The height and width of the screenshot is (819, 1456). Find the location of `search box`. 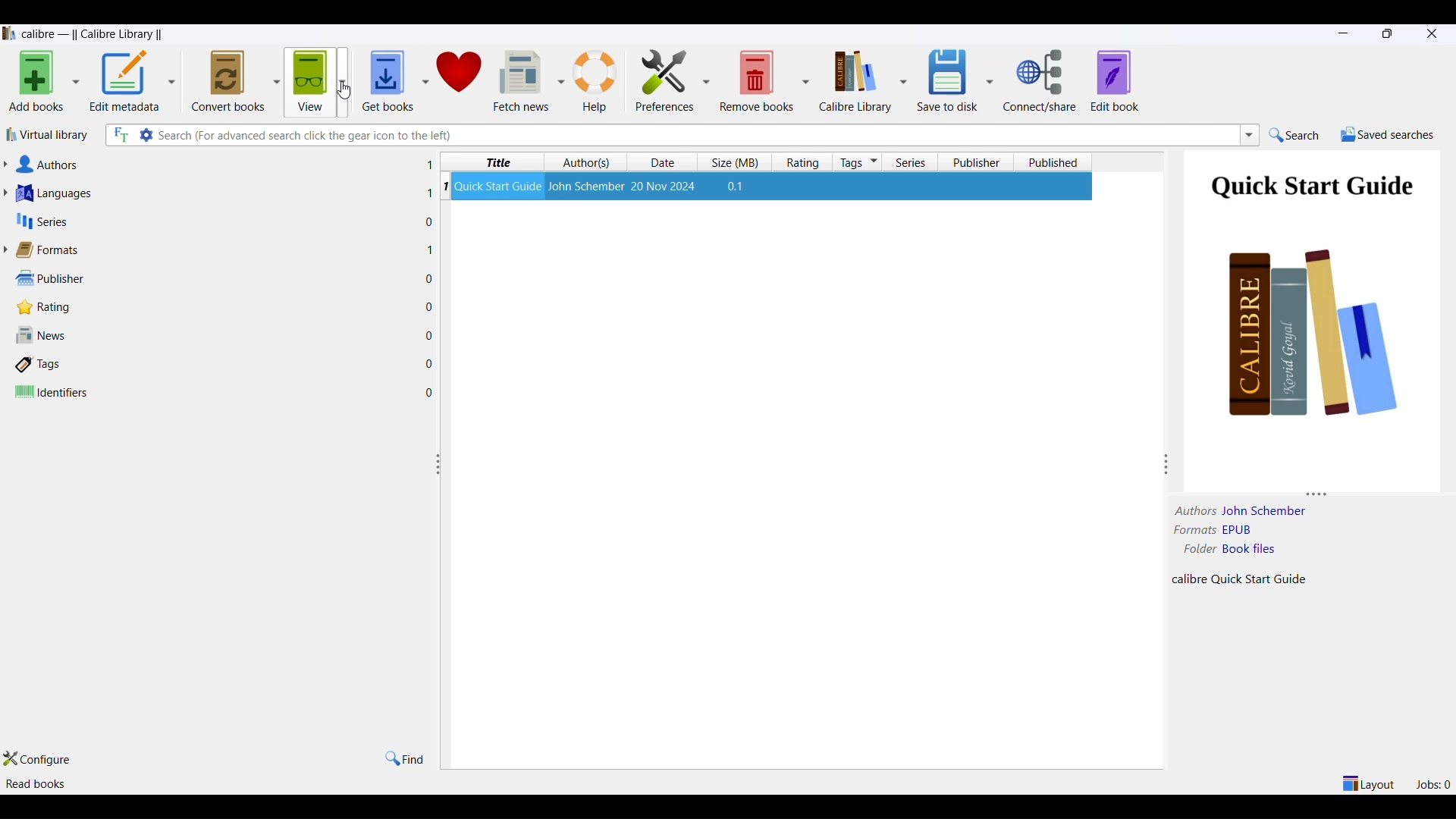

search box is located at coordinates (696, 134).